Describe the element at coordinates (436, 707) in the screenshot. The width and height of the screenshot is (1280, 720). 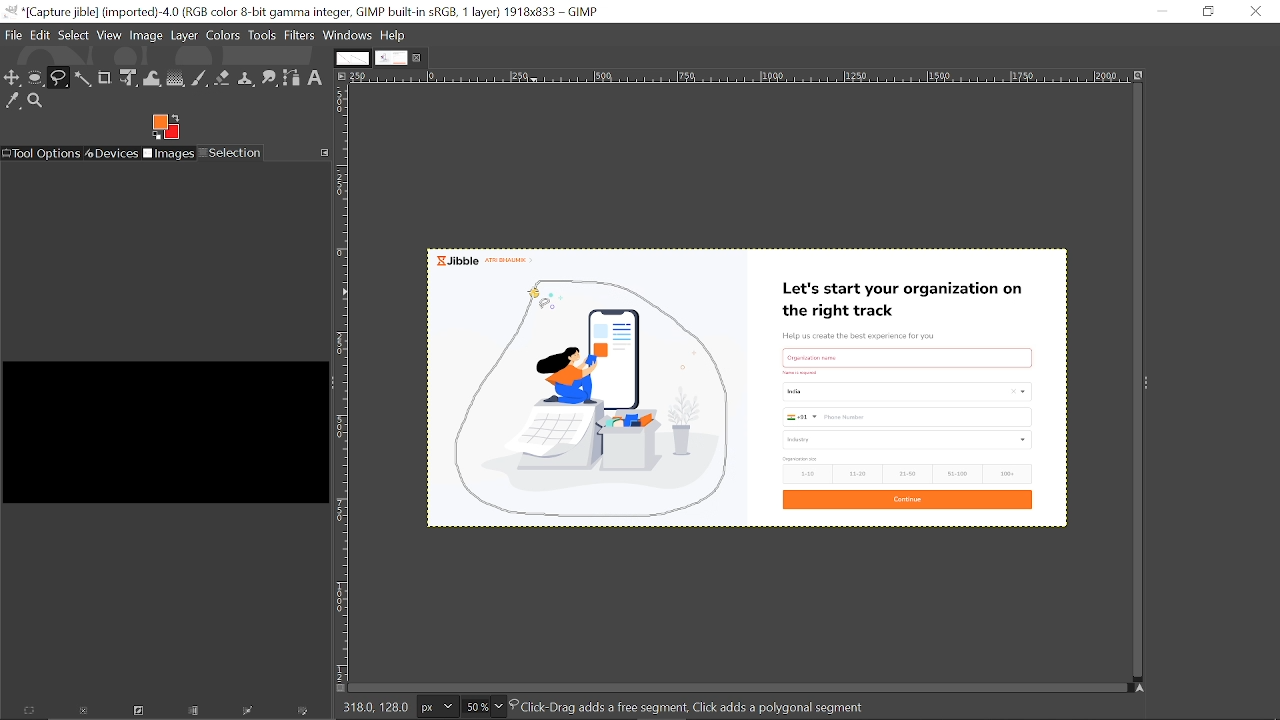
I see `Current image units` at that location.